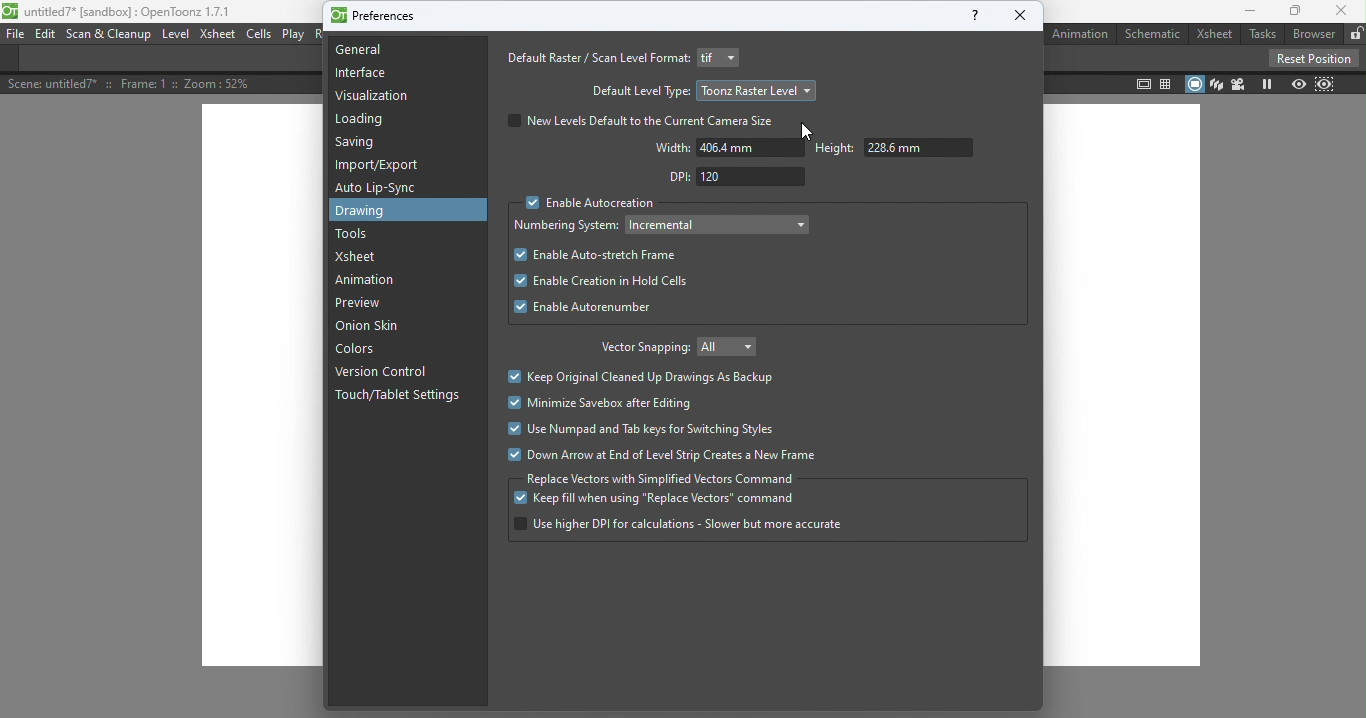 The width and height of the screenshot is (1366, 718). Describe the element at coordinates (368, 52) in the screenshot. I see `General` at that location.